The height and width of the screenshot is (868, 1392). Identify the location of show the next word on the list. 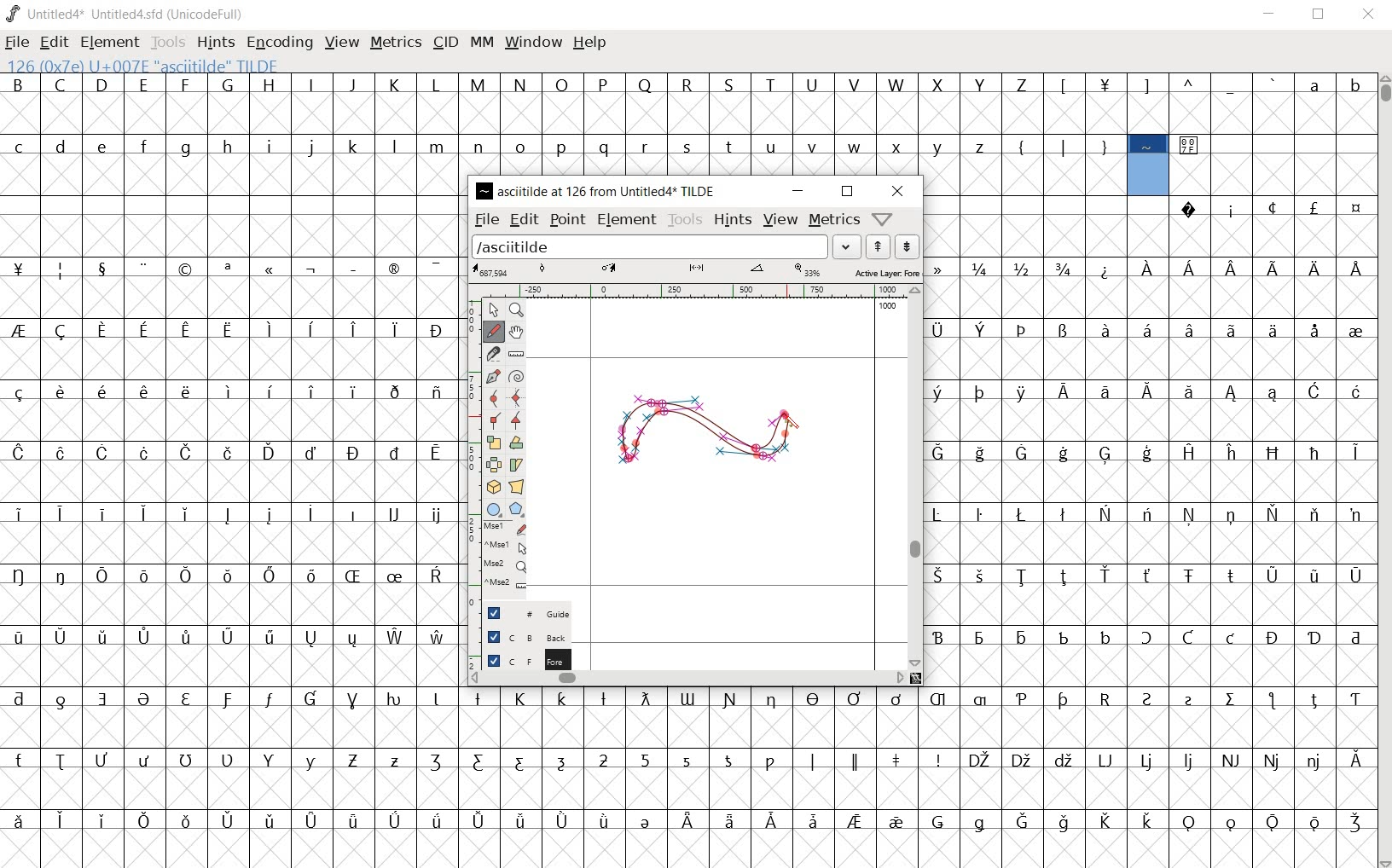
(878, 246).